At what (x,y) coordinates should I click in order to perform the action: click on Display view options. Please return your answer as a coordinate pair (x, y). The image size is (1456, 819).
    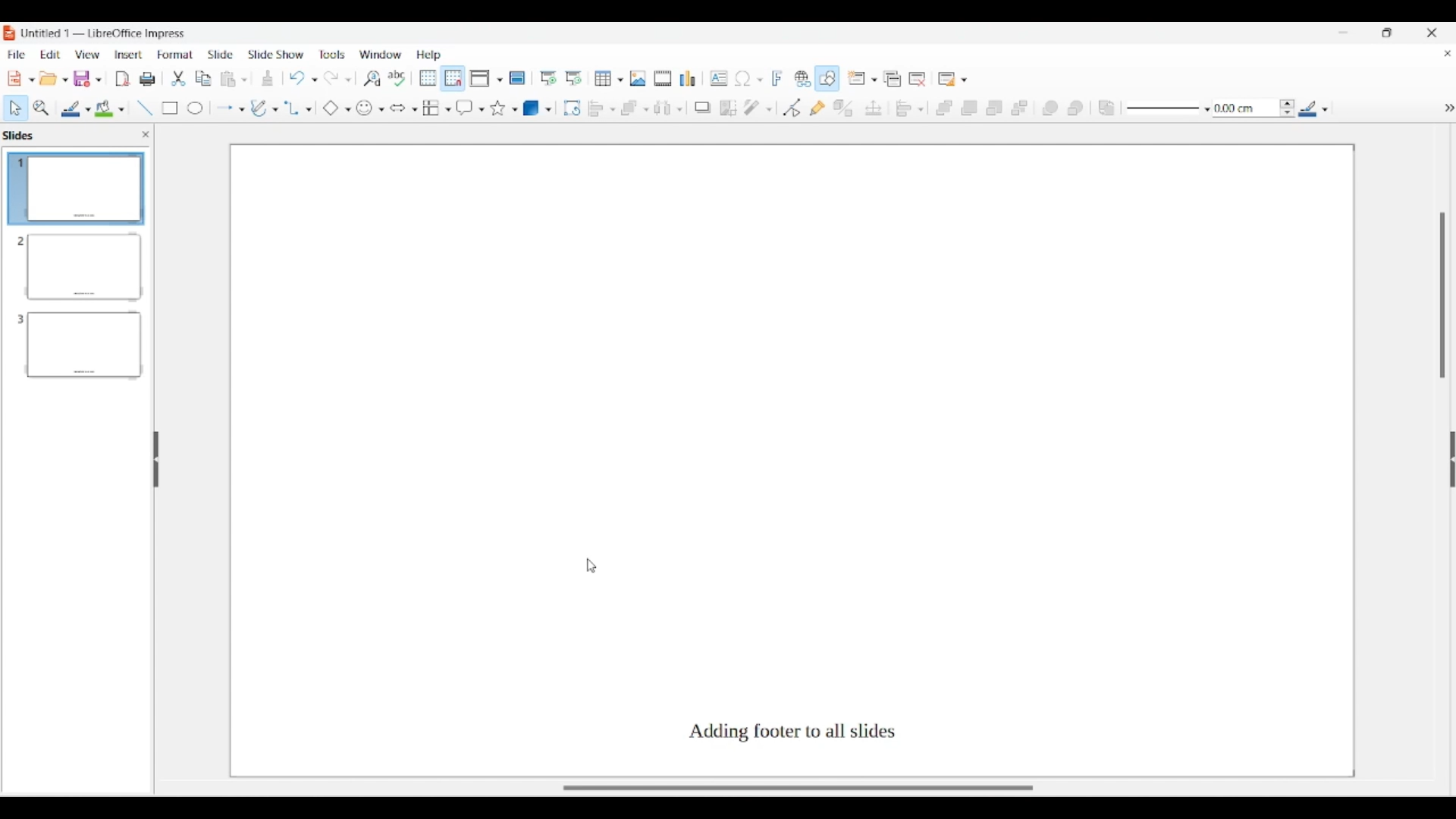
    Looking at the image, I should click on (487, 78).